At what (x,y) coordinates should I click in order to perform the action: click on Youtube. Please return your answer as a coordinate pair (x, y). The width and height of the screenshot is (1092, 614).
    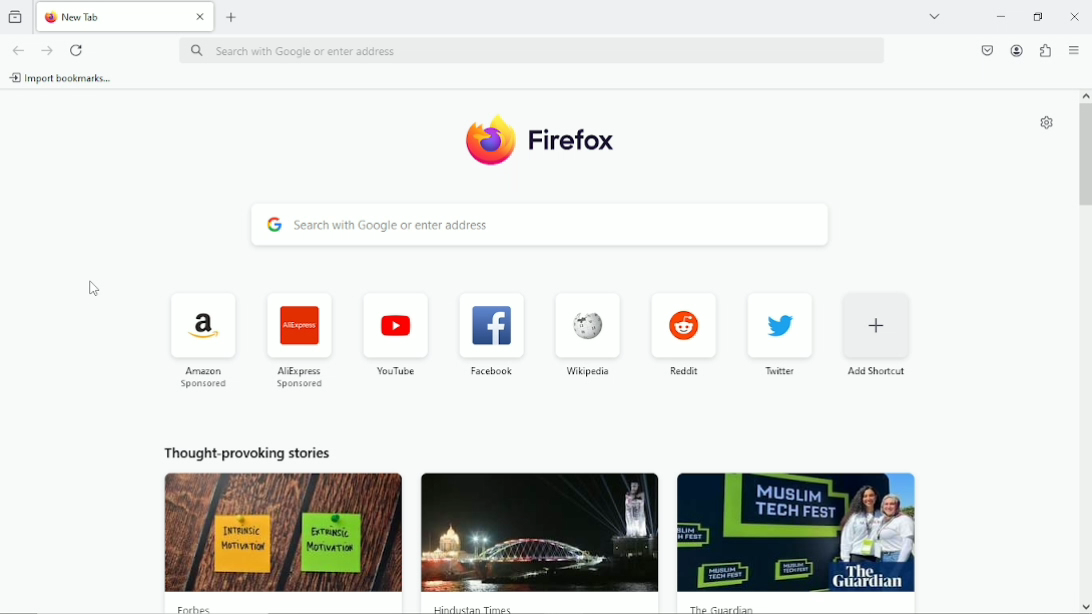
    Looking at the image, I should click on (393, 334).